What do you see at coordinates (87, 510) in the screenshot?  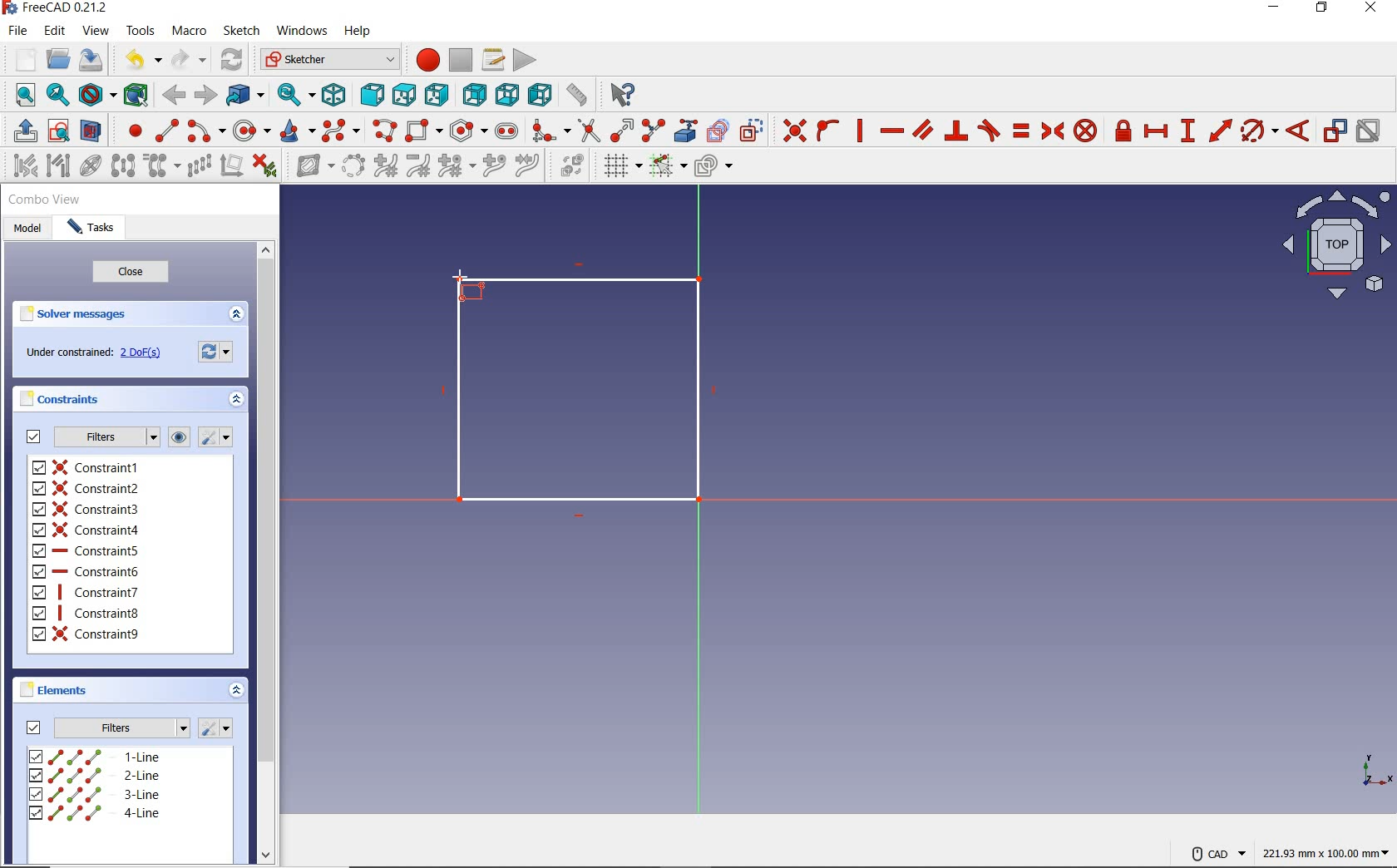 I see `constraint3` at bounding box center [87, 510].